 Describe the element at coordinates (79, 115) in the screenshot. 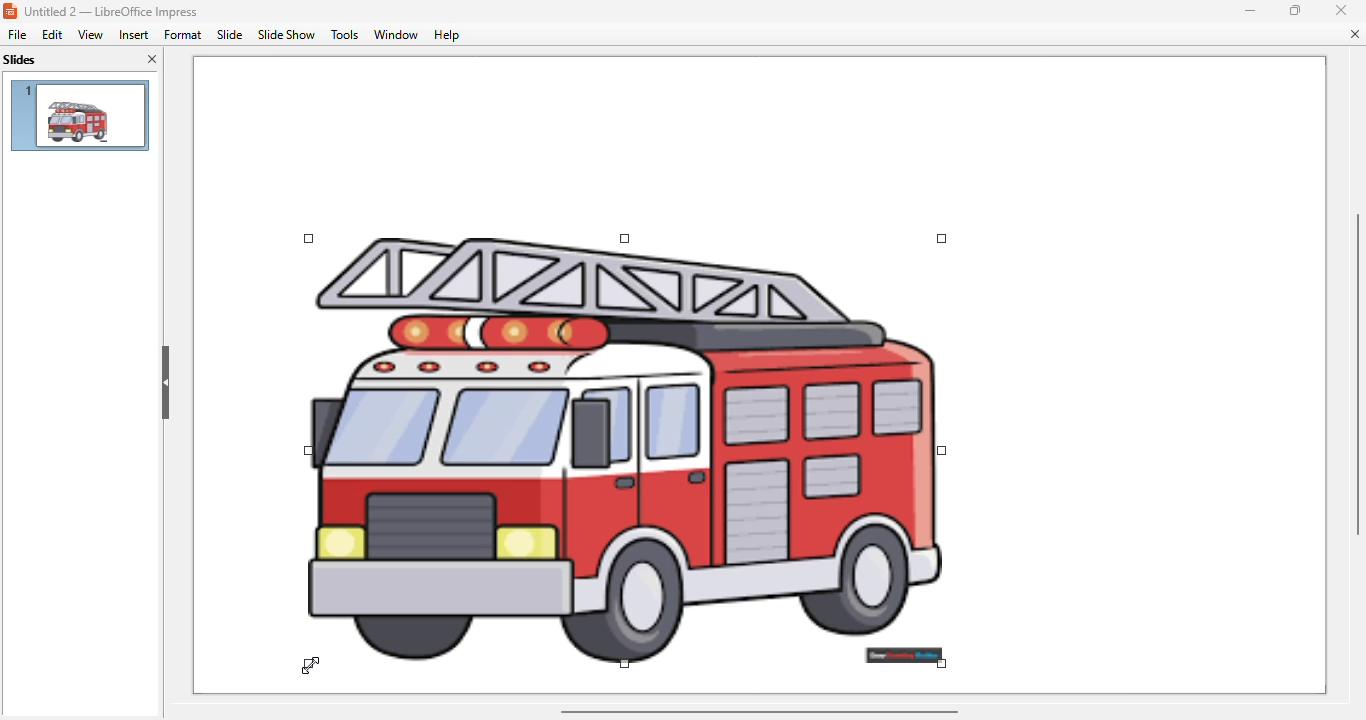

I see `slide 1 preview` at that location.